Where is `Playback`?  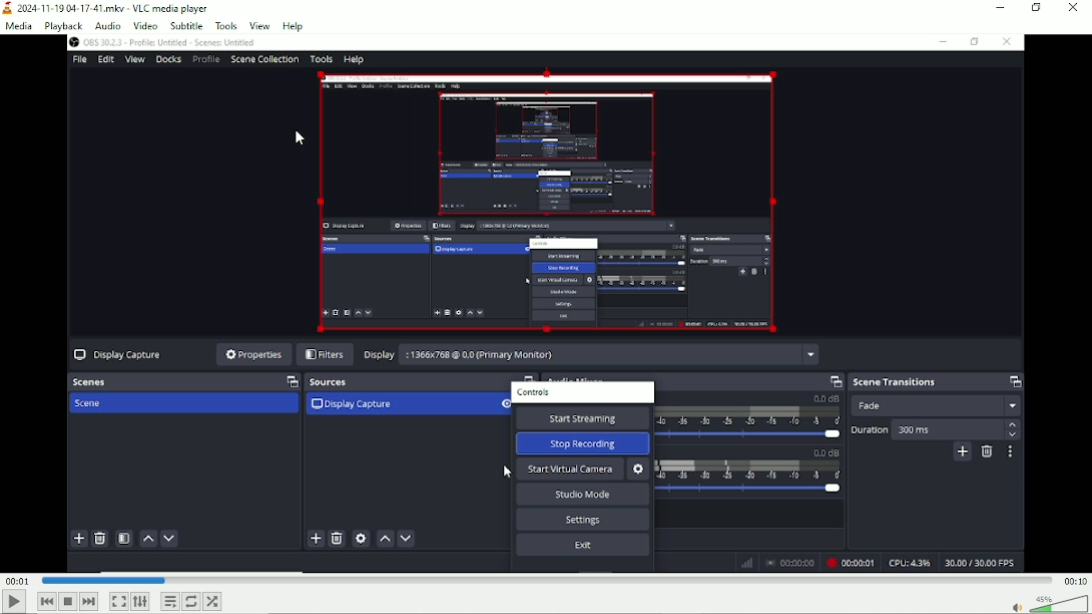
Playback is located at coordinates (63, 27).